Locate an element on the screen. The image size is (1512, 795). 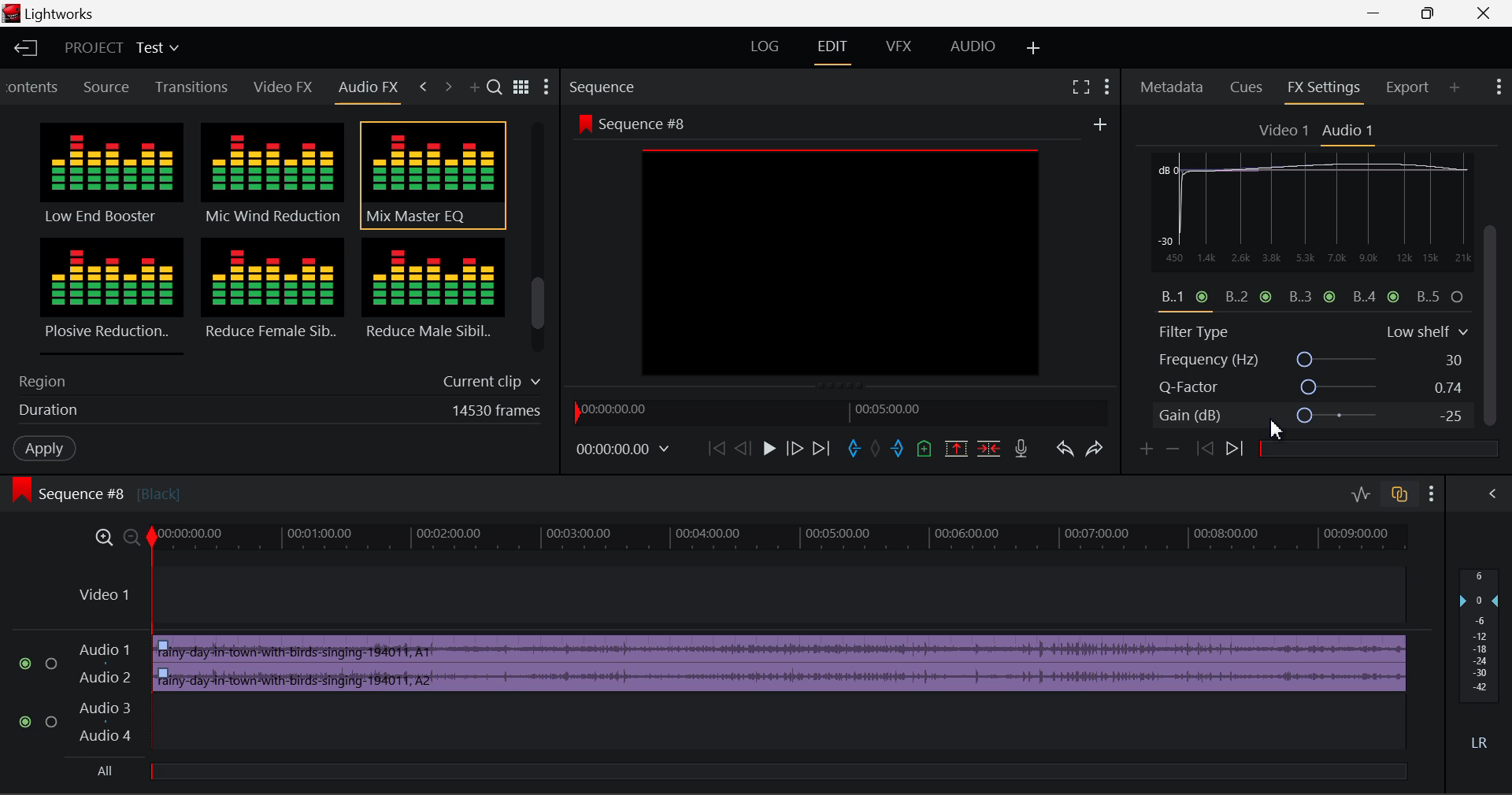
Decibel Level is located at coordinates (1482, 663).